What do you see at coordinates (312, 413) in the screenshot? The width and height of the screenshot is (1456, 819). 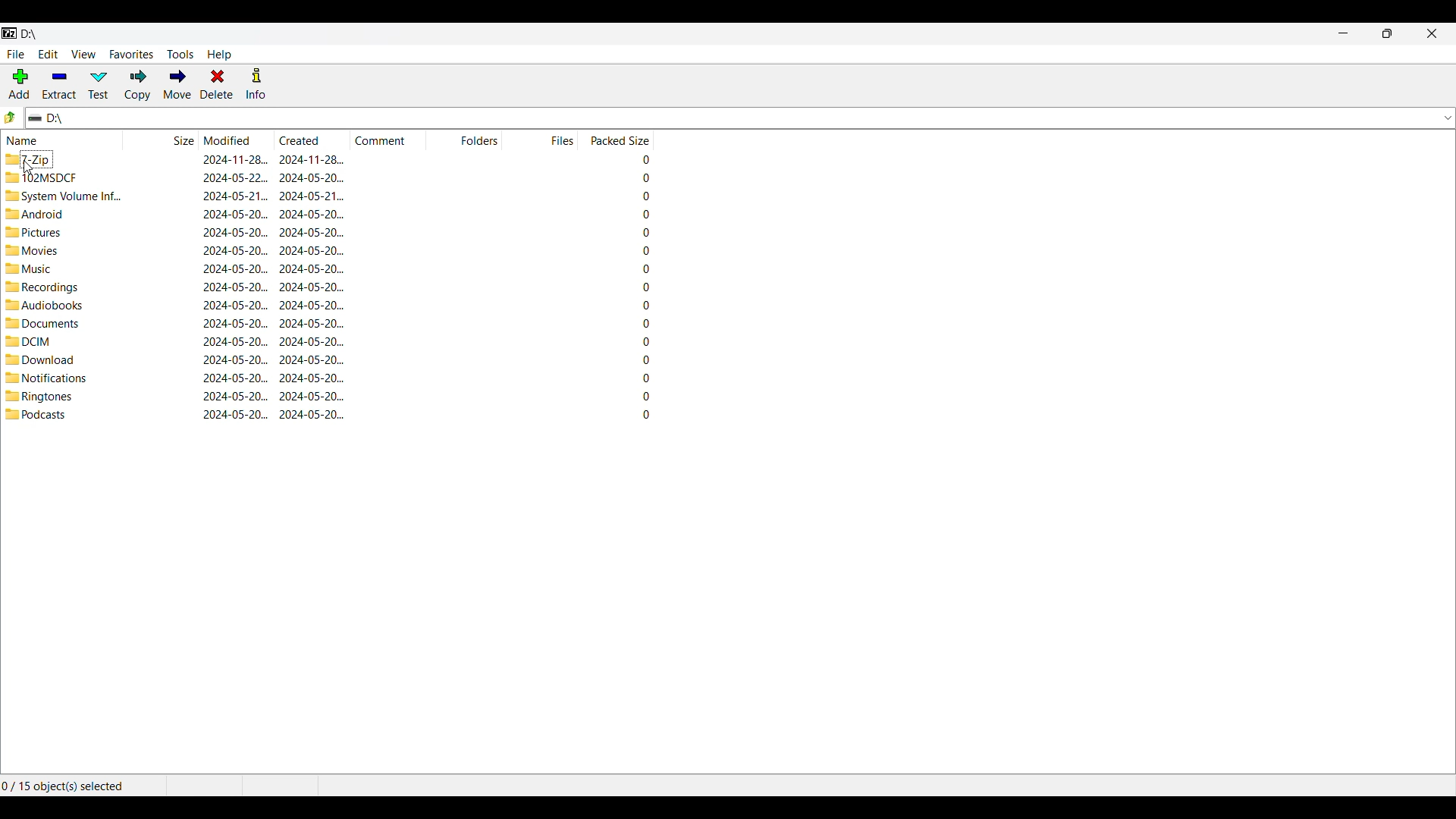 I see `created date & time` at bounding box center [312, 413].